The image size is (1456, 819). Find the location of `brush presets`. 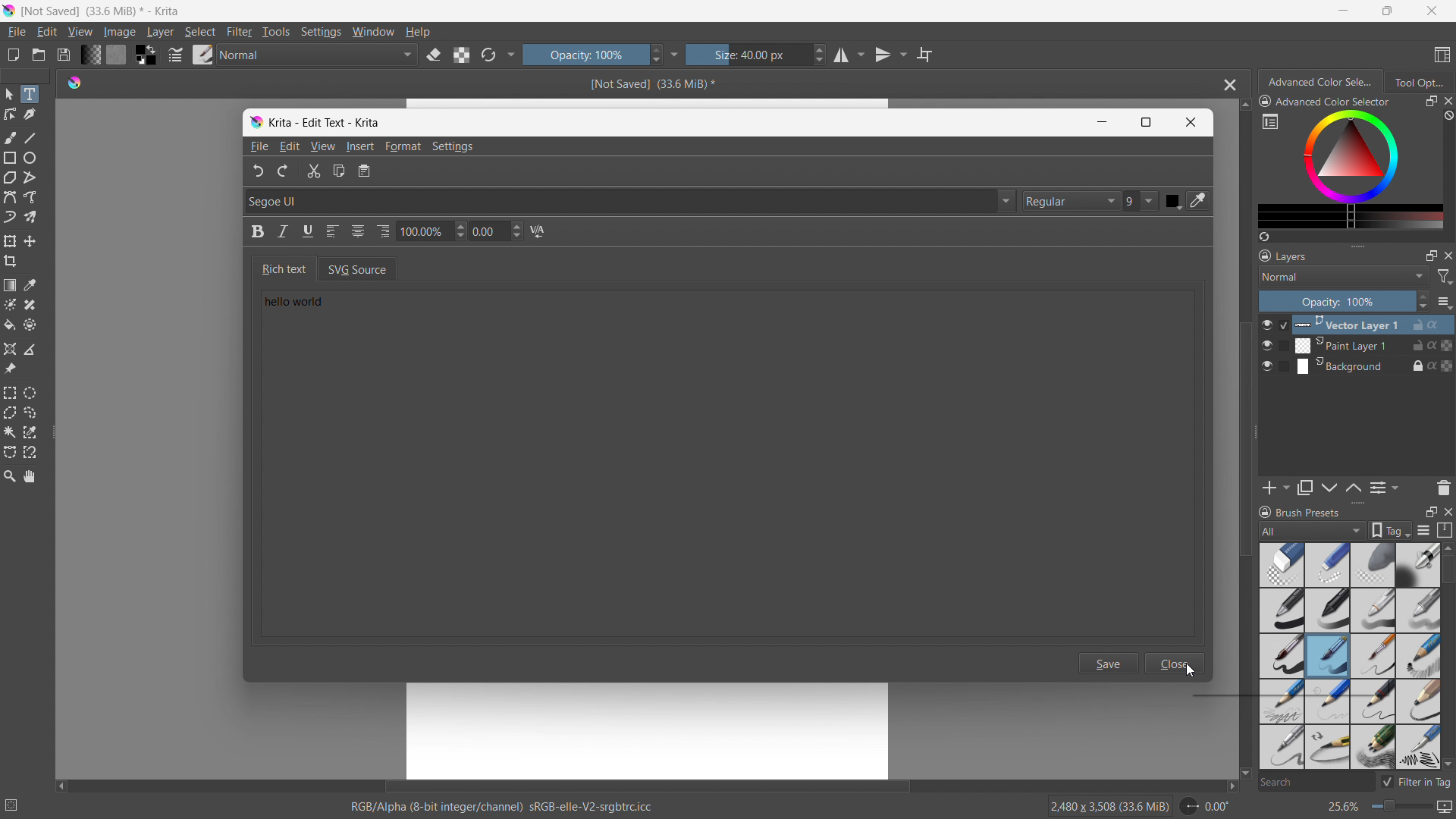

brush presets is located at coordinates (203, 54).